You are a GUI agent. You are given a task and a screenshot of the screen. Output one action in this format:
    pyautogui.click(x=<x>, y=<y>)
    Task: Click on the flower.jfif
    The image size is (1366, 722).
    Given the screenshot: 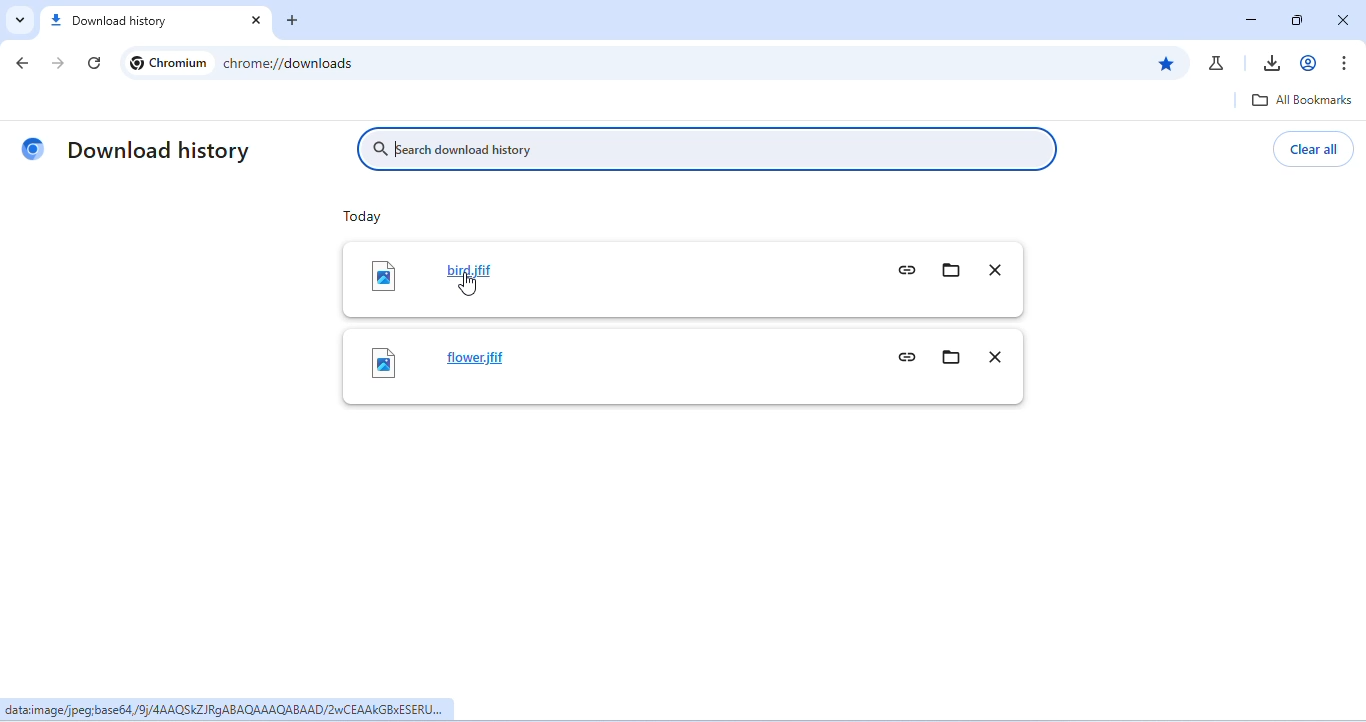 What is the action you would take?
    pyautogui.click(x=477, y=357)
    